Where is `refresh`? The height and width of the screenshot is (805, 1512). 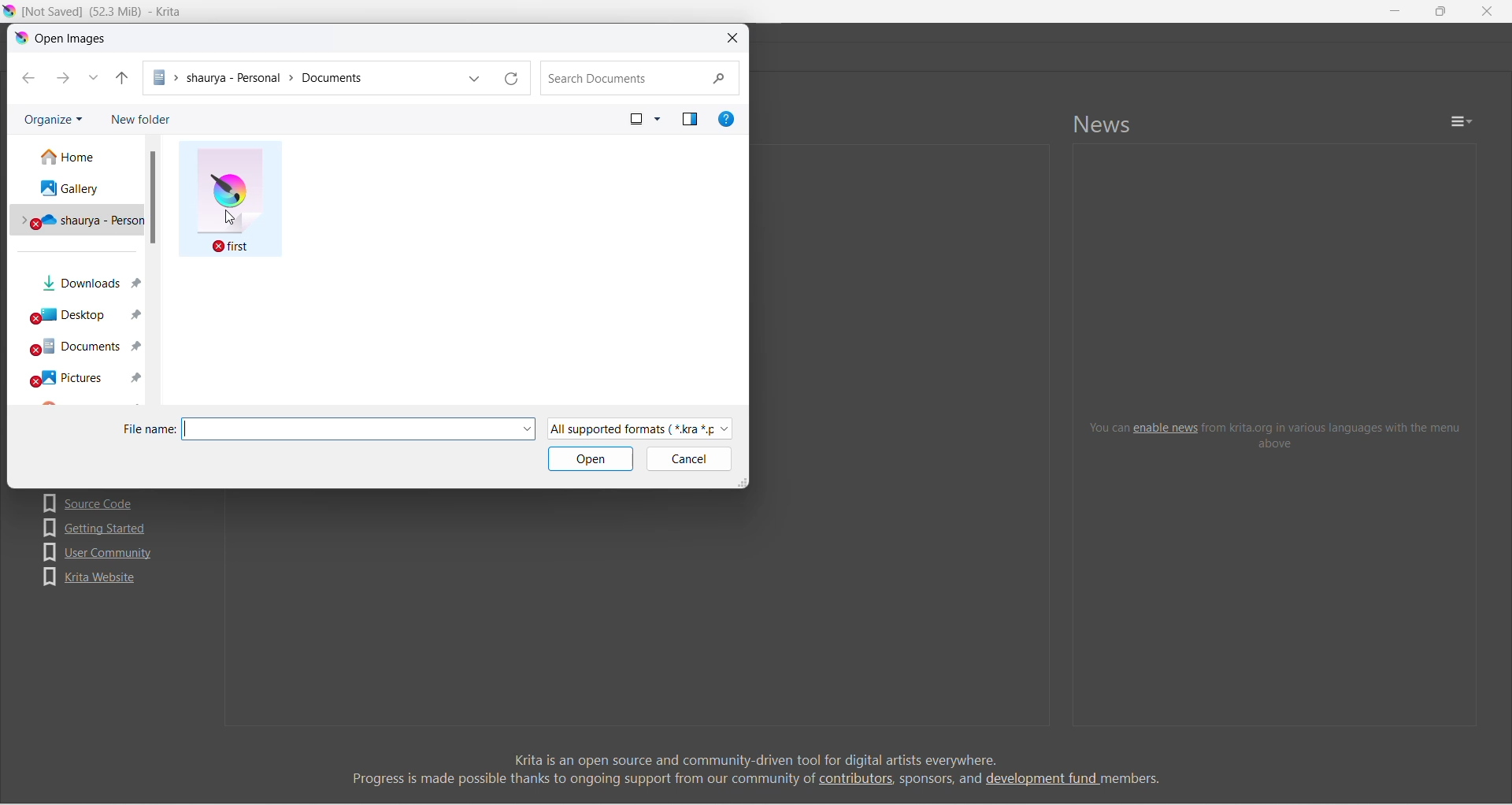
refresh is located at coordinates (513, 78).